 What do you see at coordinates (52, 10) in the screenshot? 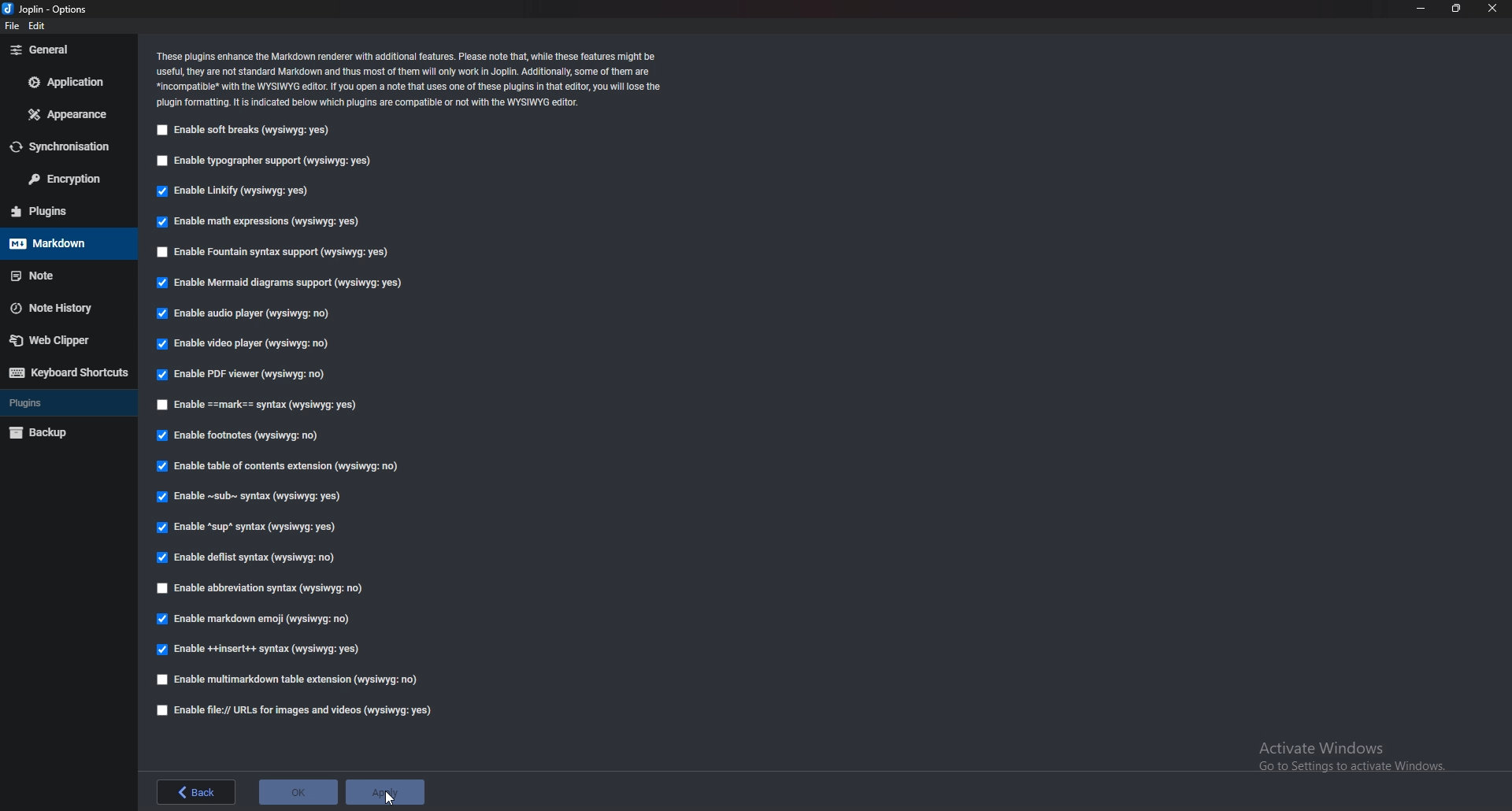
I see `options` at bounding box center [52, 10].